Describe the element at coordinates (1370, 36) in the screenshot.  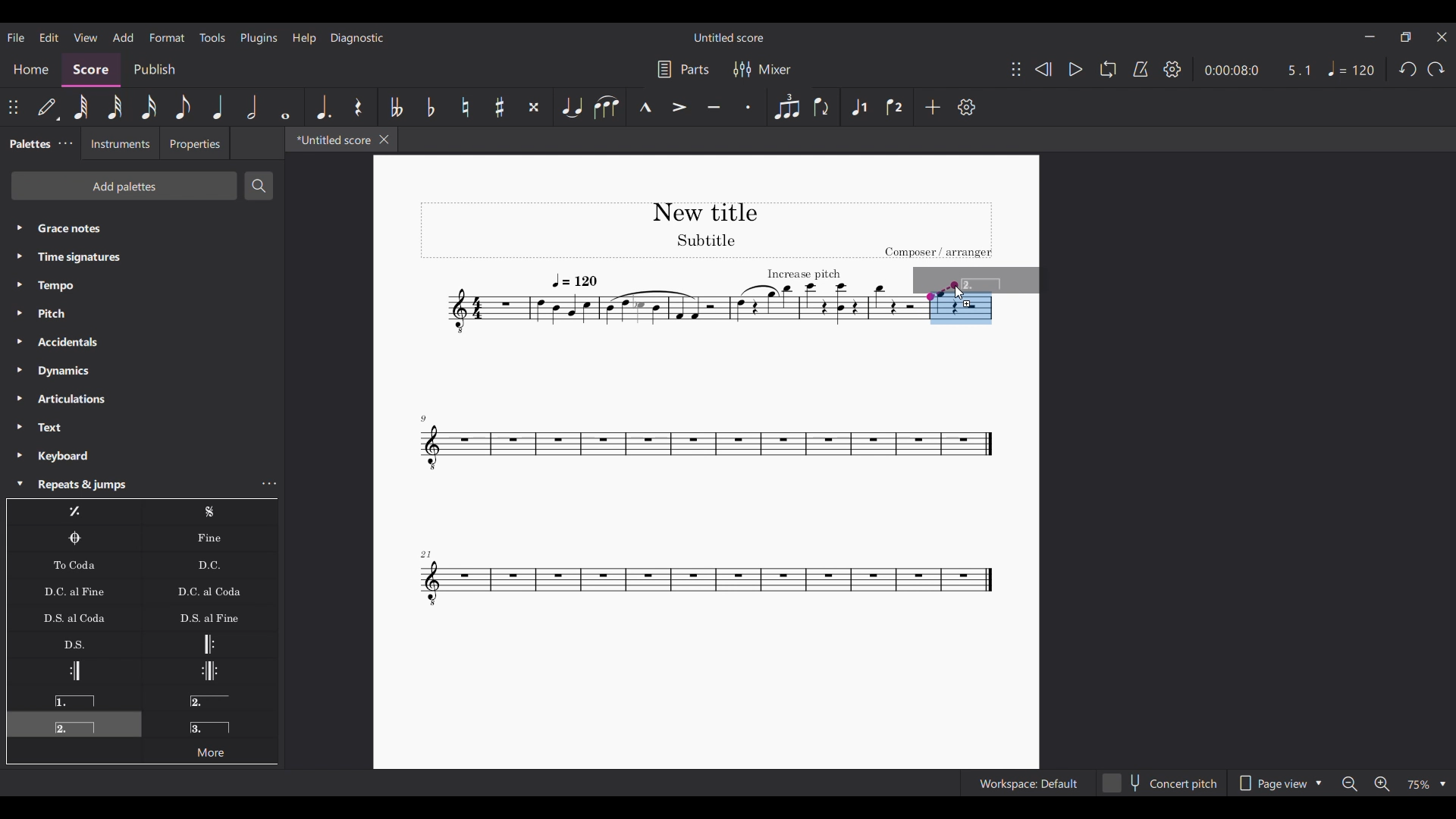
I see `Minimize` at that location.